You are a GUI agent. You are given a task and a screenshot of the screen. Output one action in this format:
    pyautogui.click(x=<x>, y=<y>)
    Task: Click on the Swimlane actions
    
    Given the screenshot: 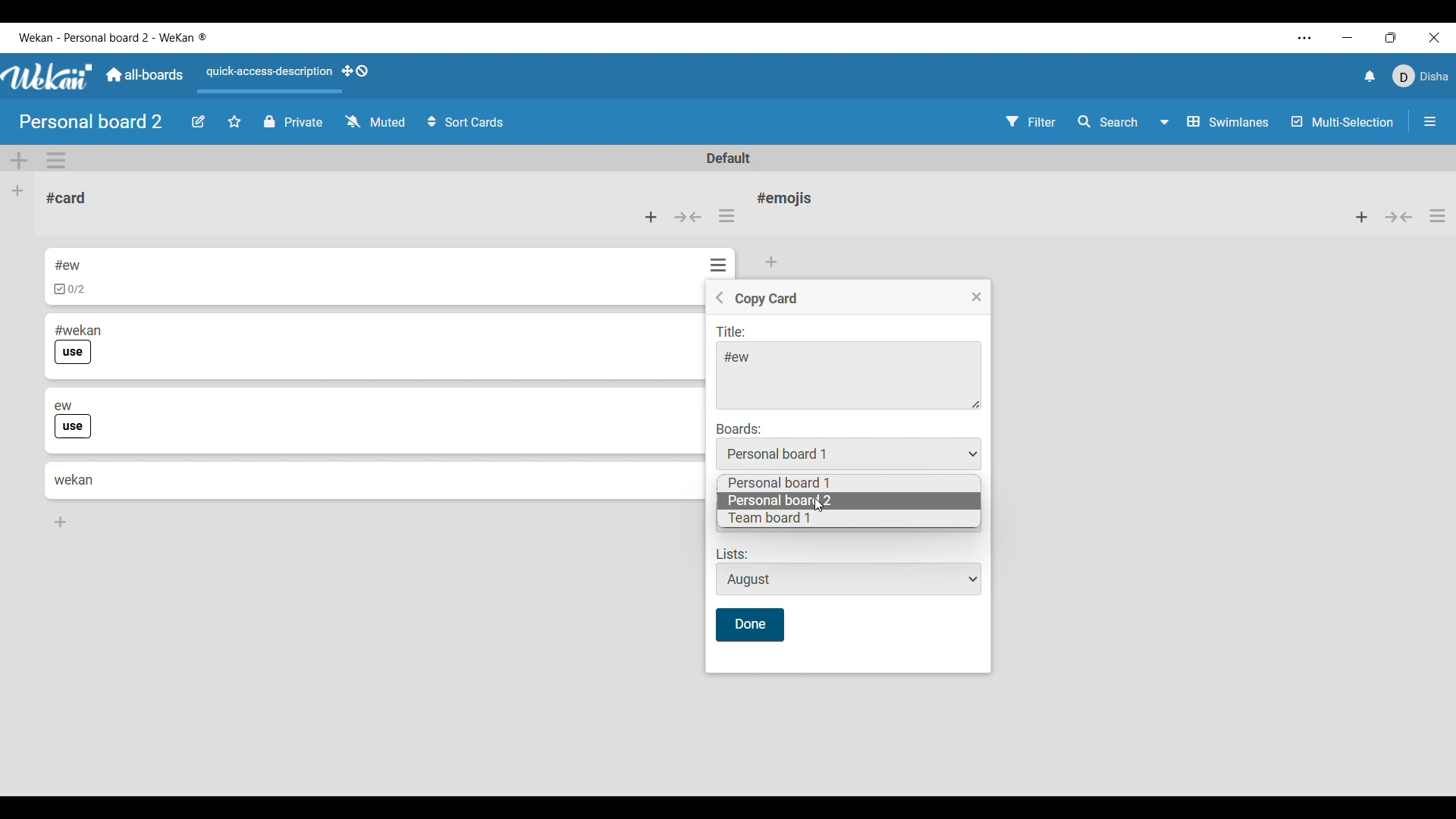 What is the action you would take?
    pyautogui.click(x=56, y=161)
    